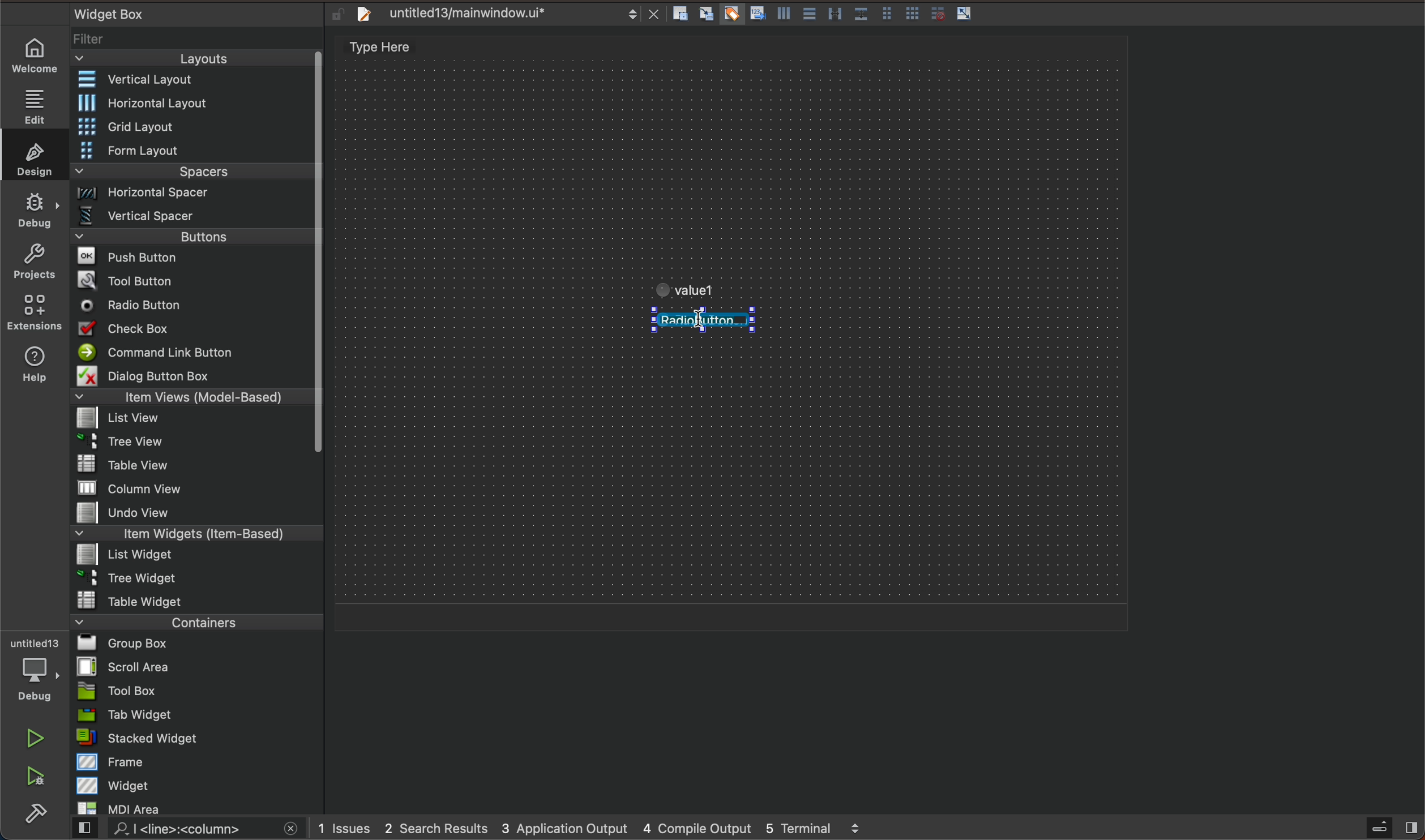 This screenshot has height=840, width=1425. What do you see at coordinates (1381, 828) in the screenshot?
I see `sidebar ` at bounding box center [1381, 828].